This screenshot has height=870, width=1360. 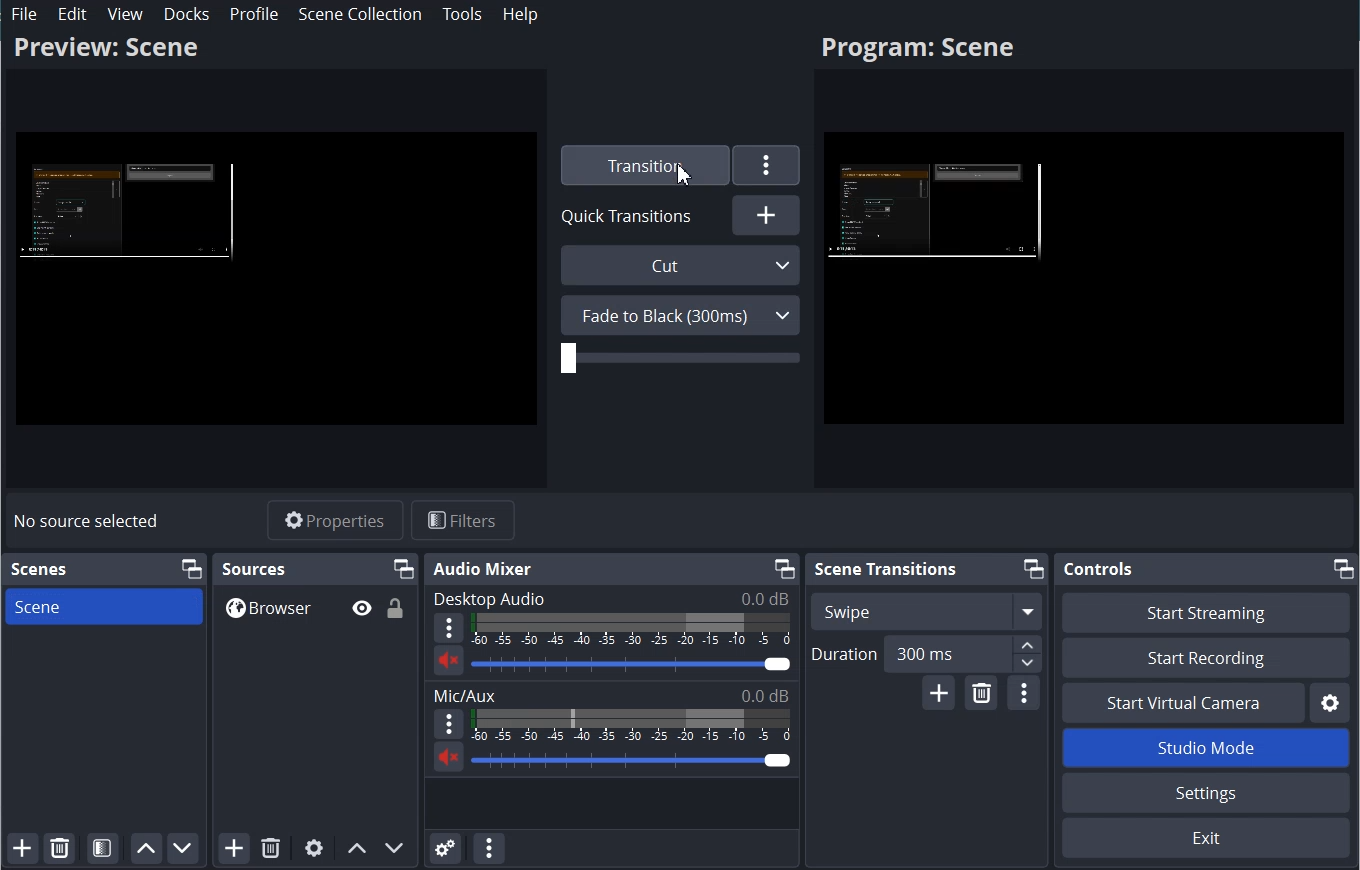 What do you see at coordinates (360, 13) in the screenshot?
I see `Scene Collection` at bounding box center [360, 13].